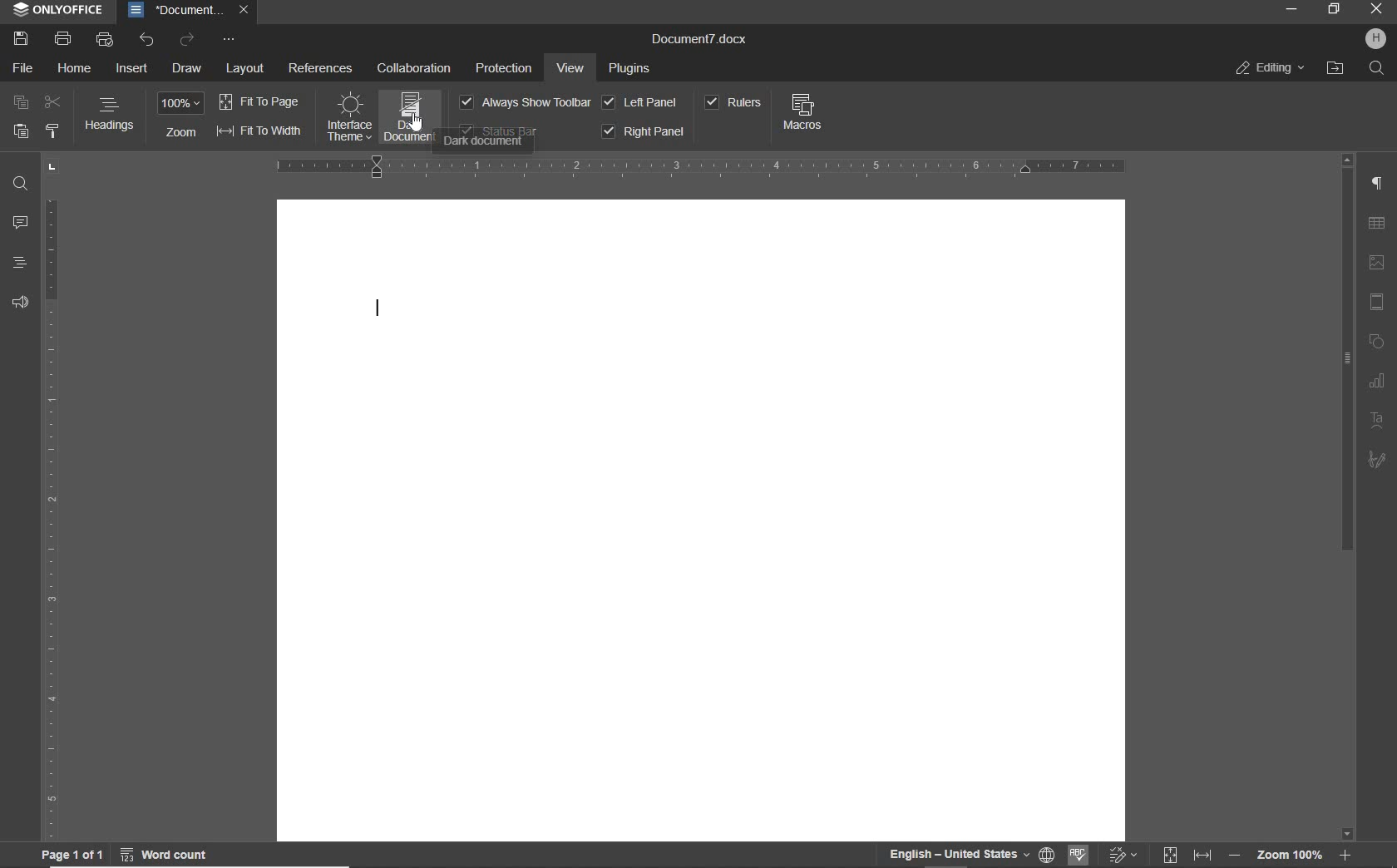  What do you see at coordinates (51, 519) in the screenshot?
I see `RULER` at bounding box center [51, 519].